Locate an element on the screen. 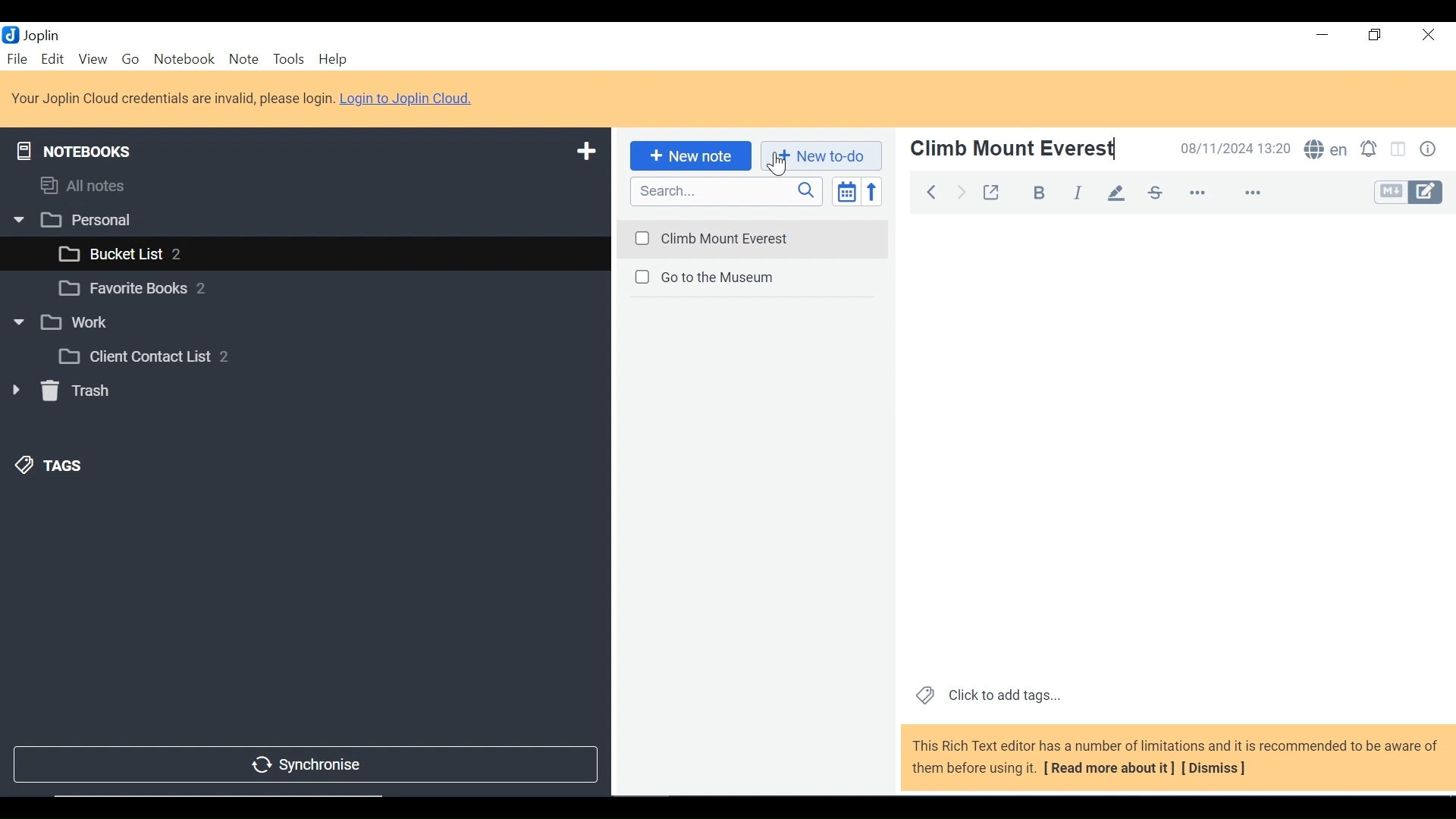 This screenshot has height=819, width=1456. Toggle External editing is located at coordinates (995, 192).